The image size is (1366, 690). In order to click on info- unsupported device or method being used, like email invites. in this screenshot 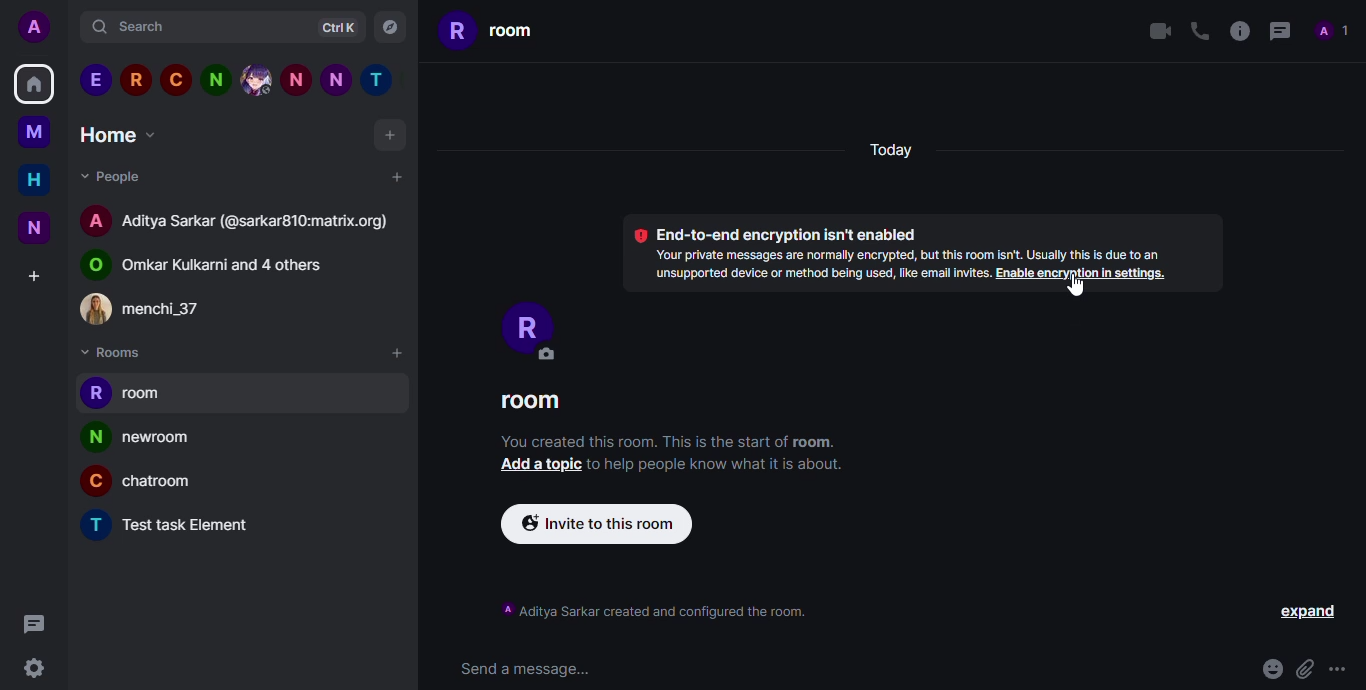, I will do `click(812, 274)`.